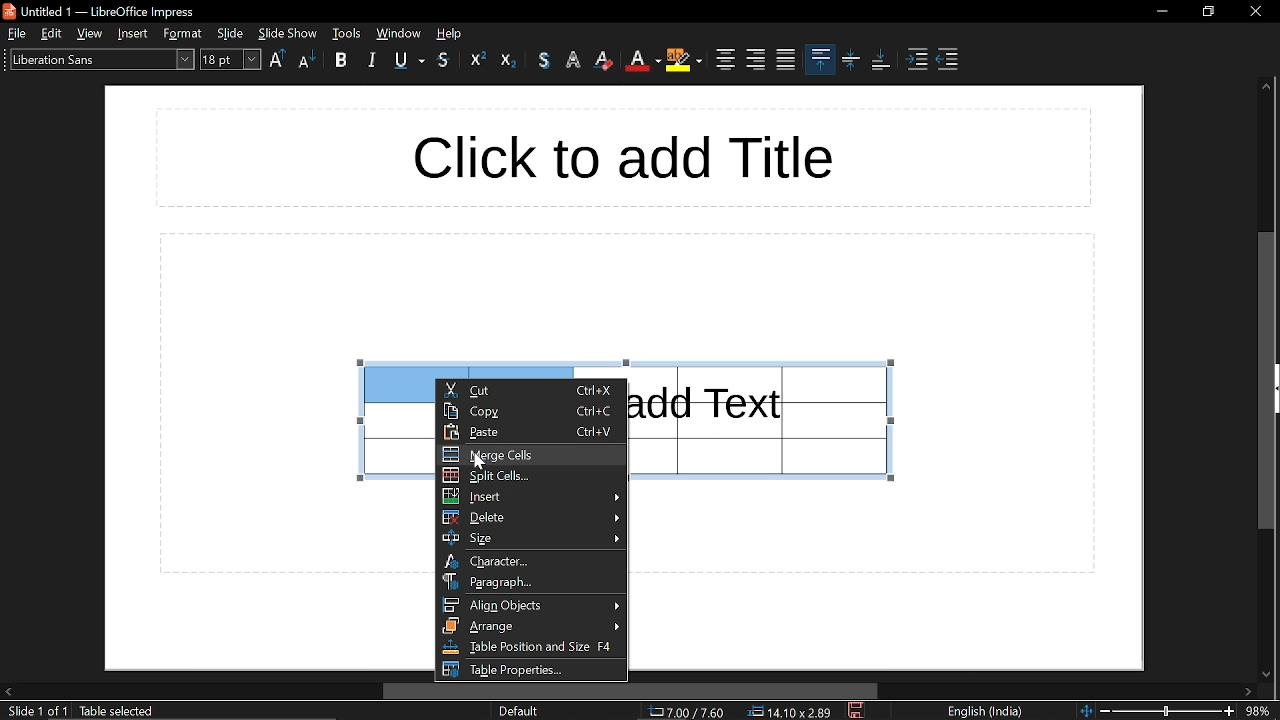  What do you see at coordinates (104, 10) in the screenshot?
I see `untitled 1- libreoffice impress` at bounding box center [104, 10].